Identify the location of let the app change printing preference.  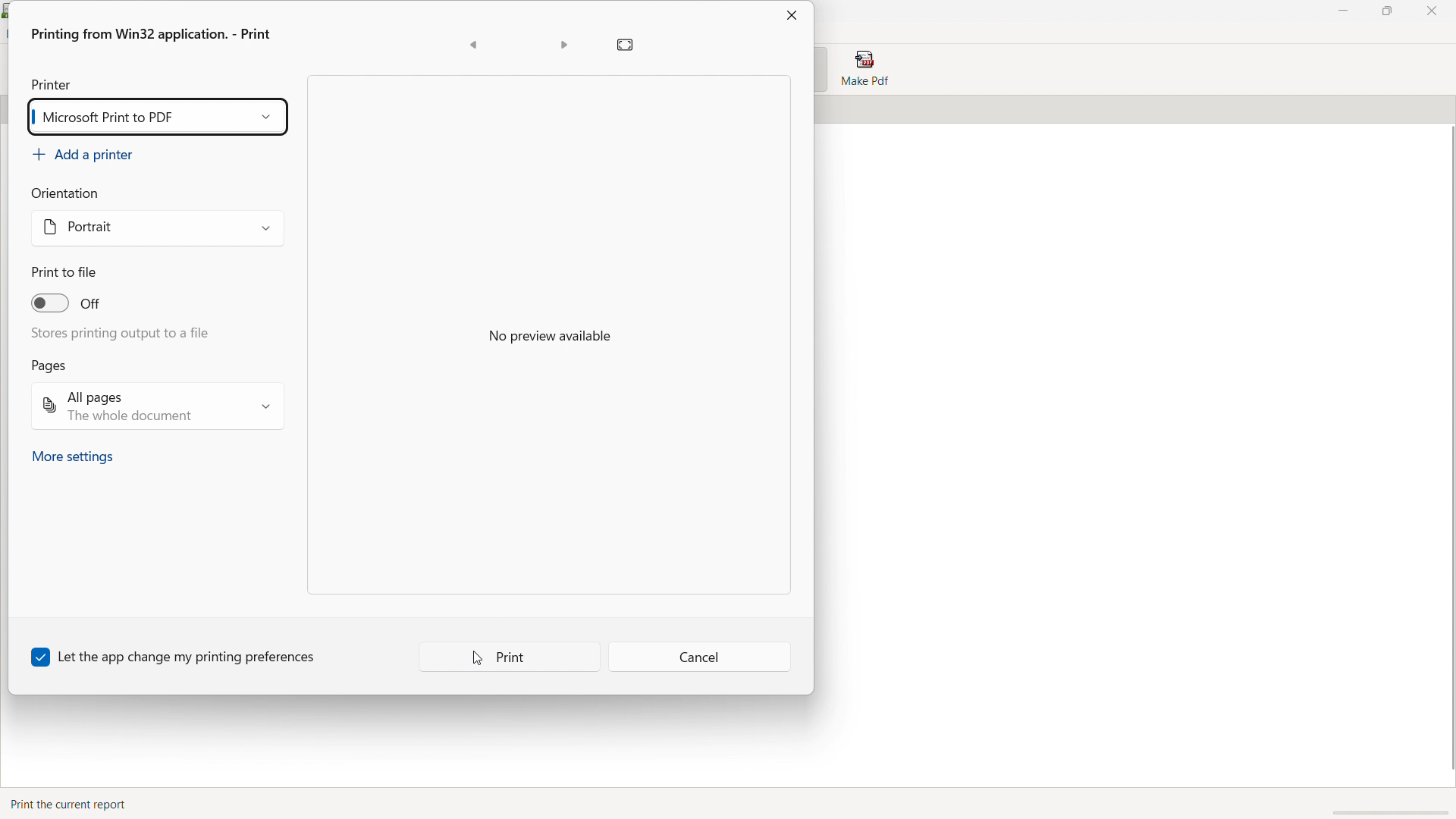
(175, 657).